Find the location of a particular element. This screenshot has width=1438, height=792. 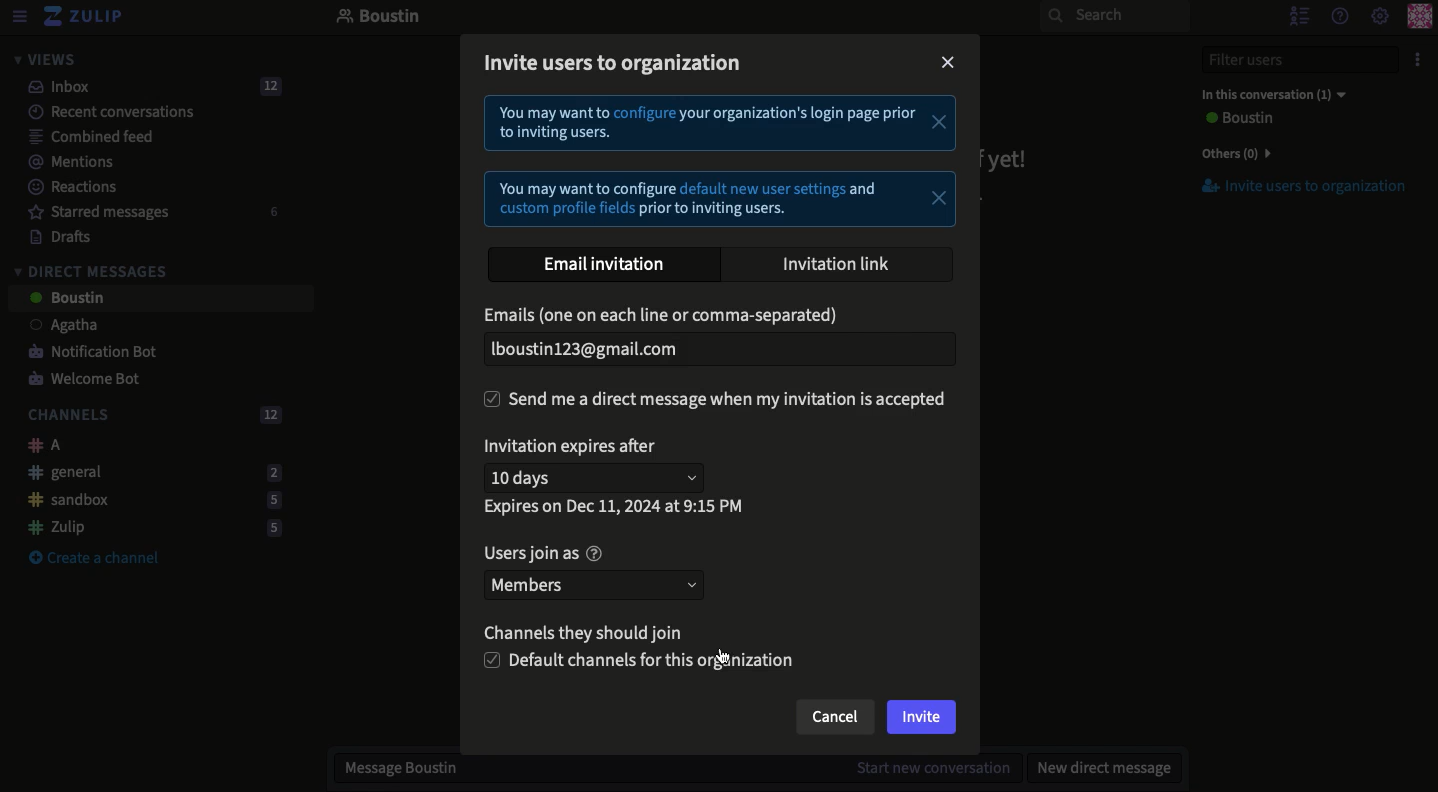

Members is located at coordinates (592, 585).